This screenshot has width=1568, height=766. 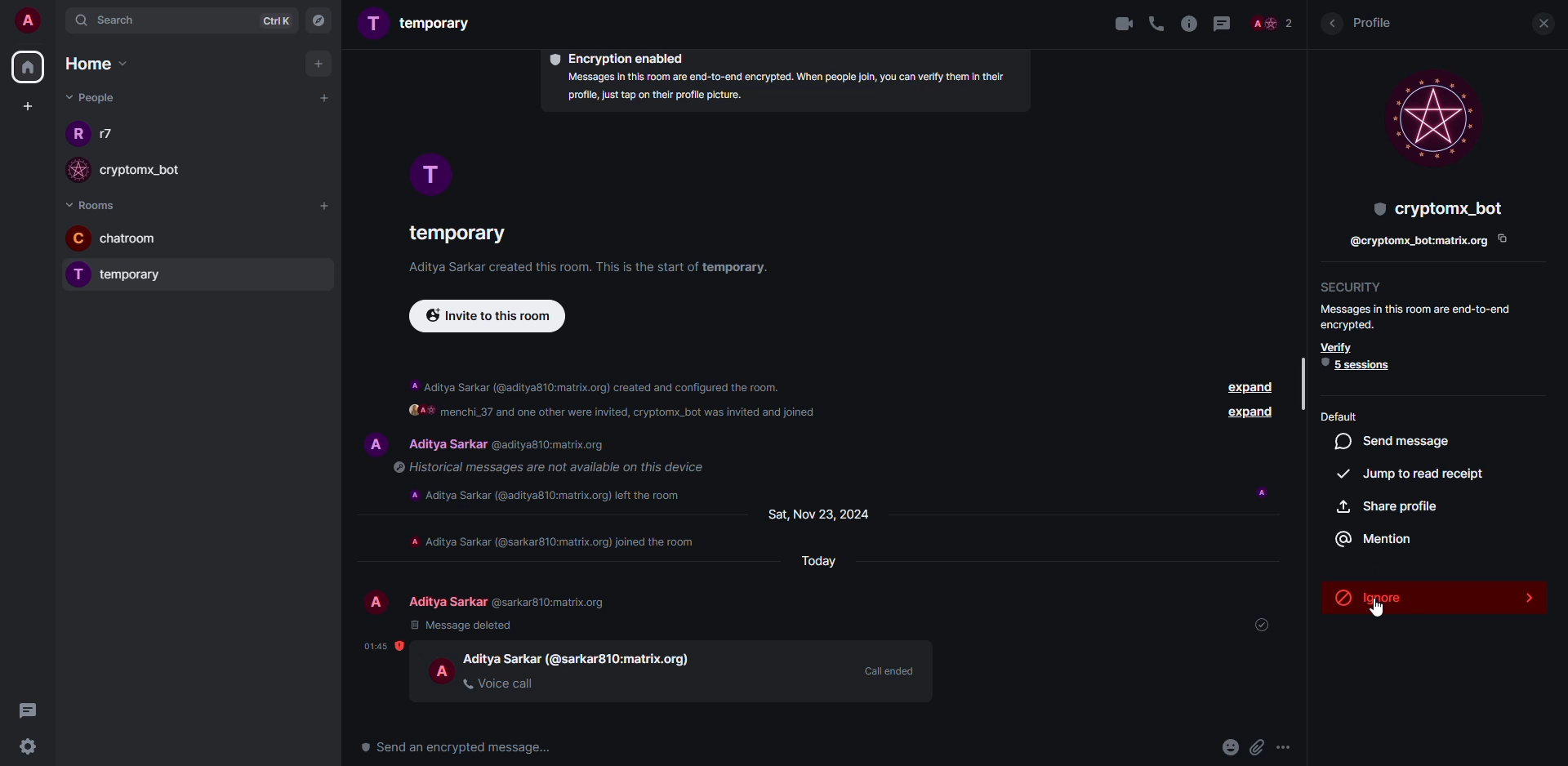 I want to click on time, so click(x=383, y=646).